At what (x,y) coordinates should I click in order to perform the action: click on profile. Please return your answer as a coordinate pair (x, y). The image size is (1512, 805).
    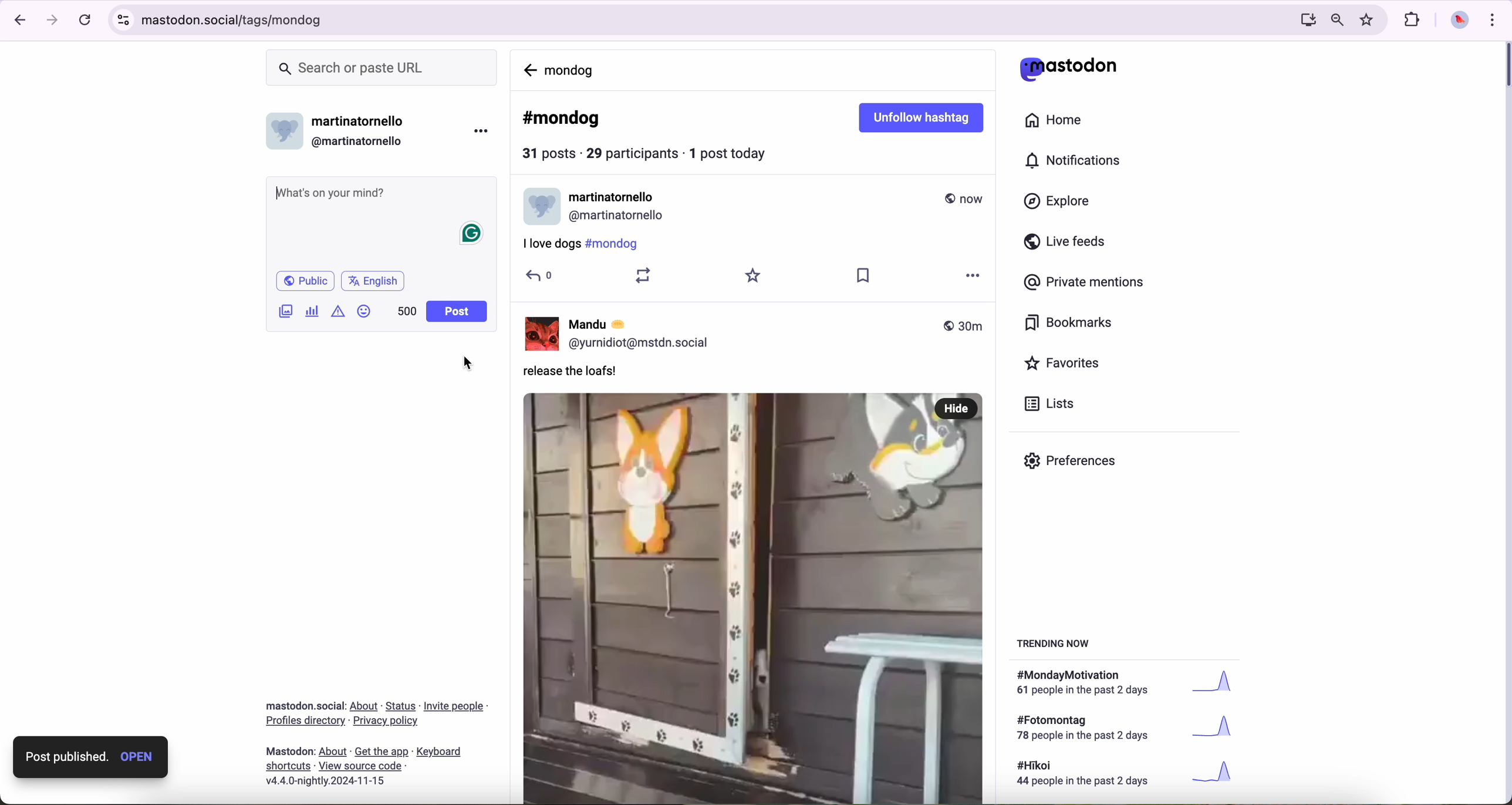
    Looking at the image, I should click on (285, 135).